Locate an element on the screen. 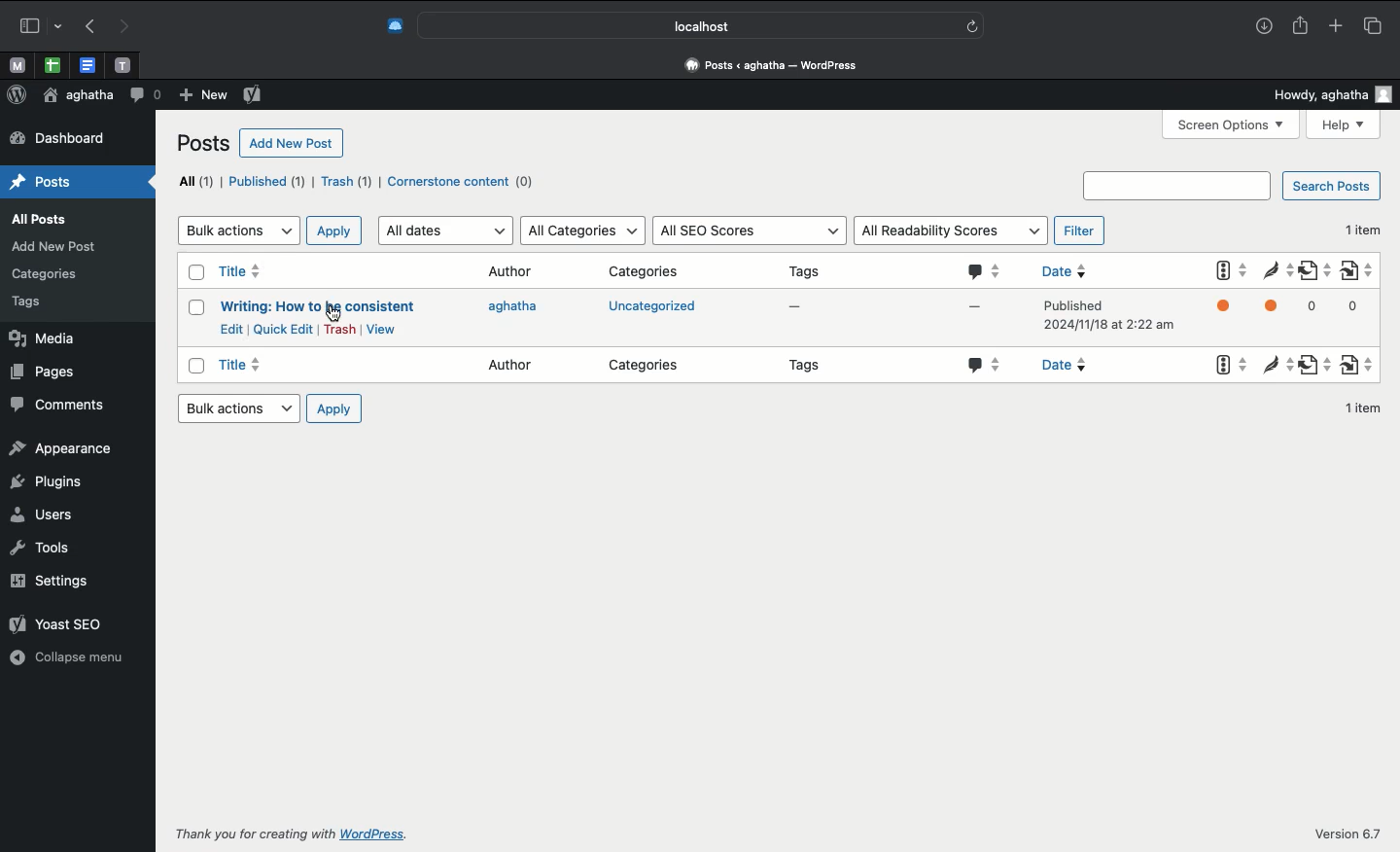 This screenshot has width=1400, height=852. Share is located at coordinates (1302, 26).